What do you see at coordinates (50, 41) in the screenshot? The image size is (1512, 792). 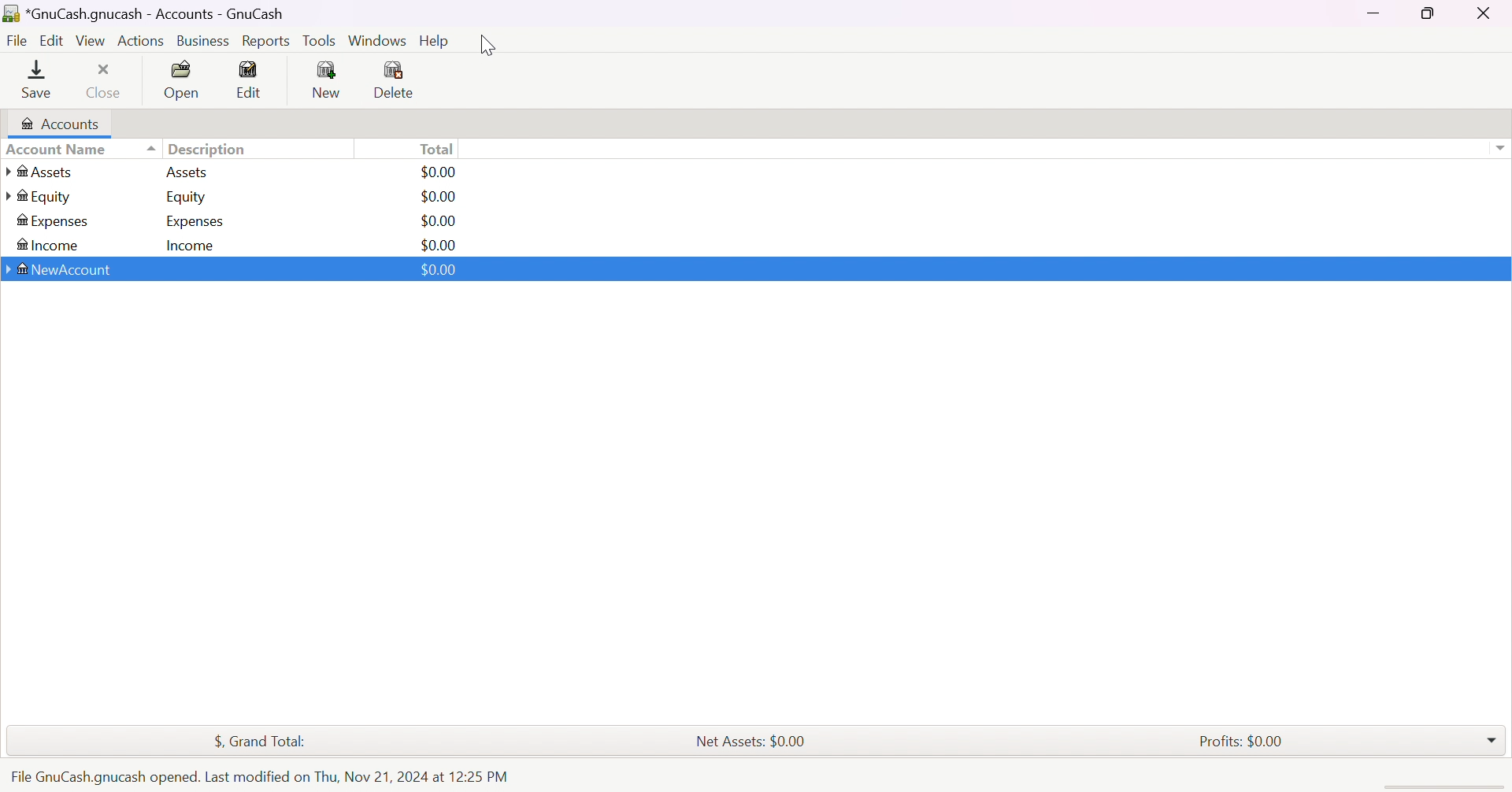 I see `Edit` at bounding box center [50, 41].